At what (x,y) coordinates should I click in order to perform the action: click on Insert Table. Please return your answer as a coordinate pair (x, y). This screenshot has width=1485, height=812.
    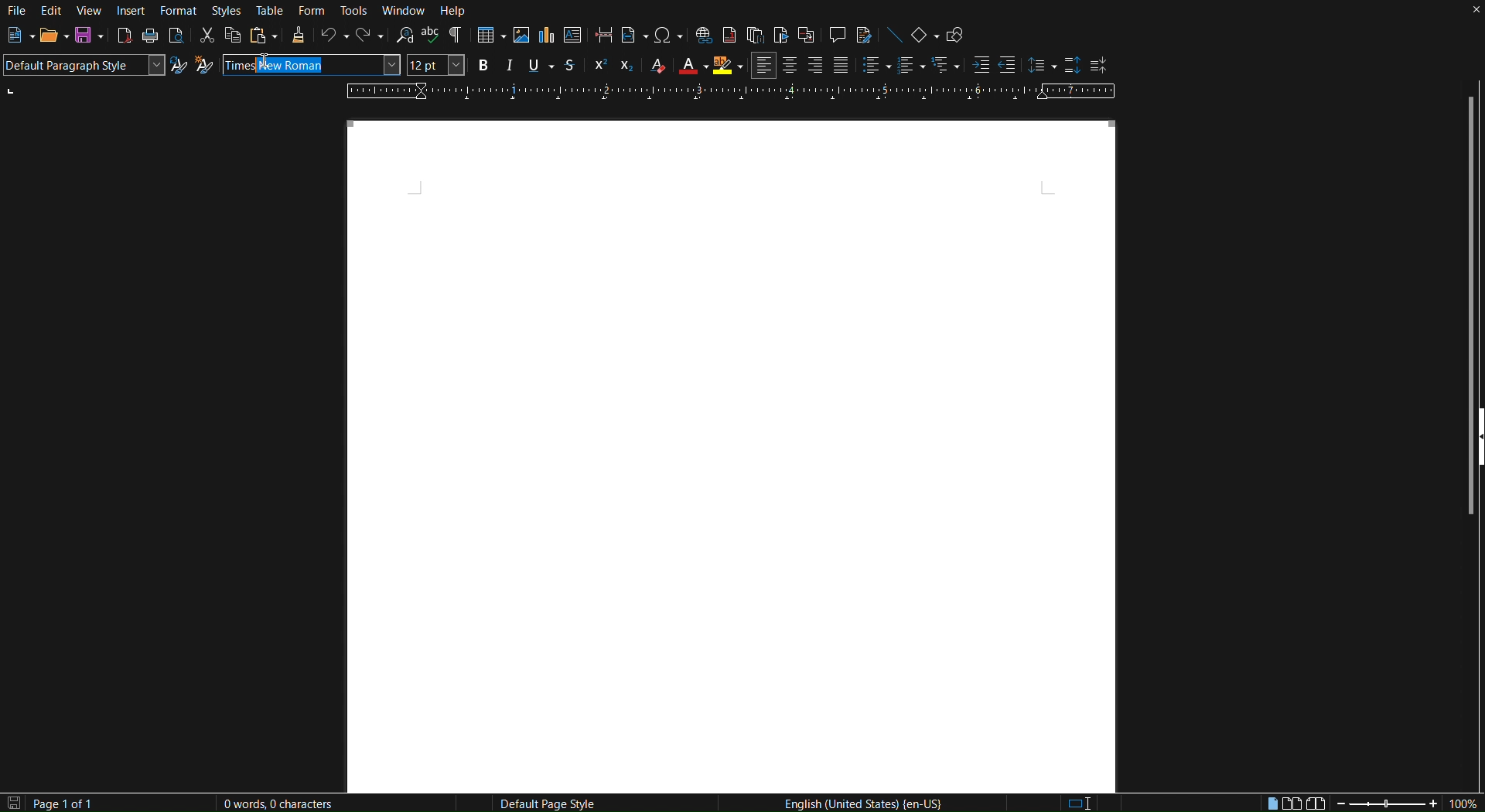
    Looking at the image, I should click on (490, 36).